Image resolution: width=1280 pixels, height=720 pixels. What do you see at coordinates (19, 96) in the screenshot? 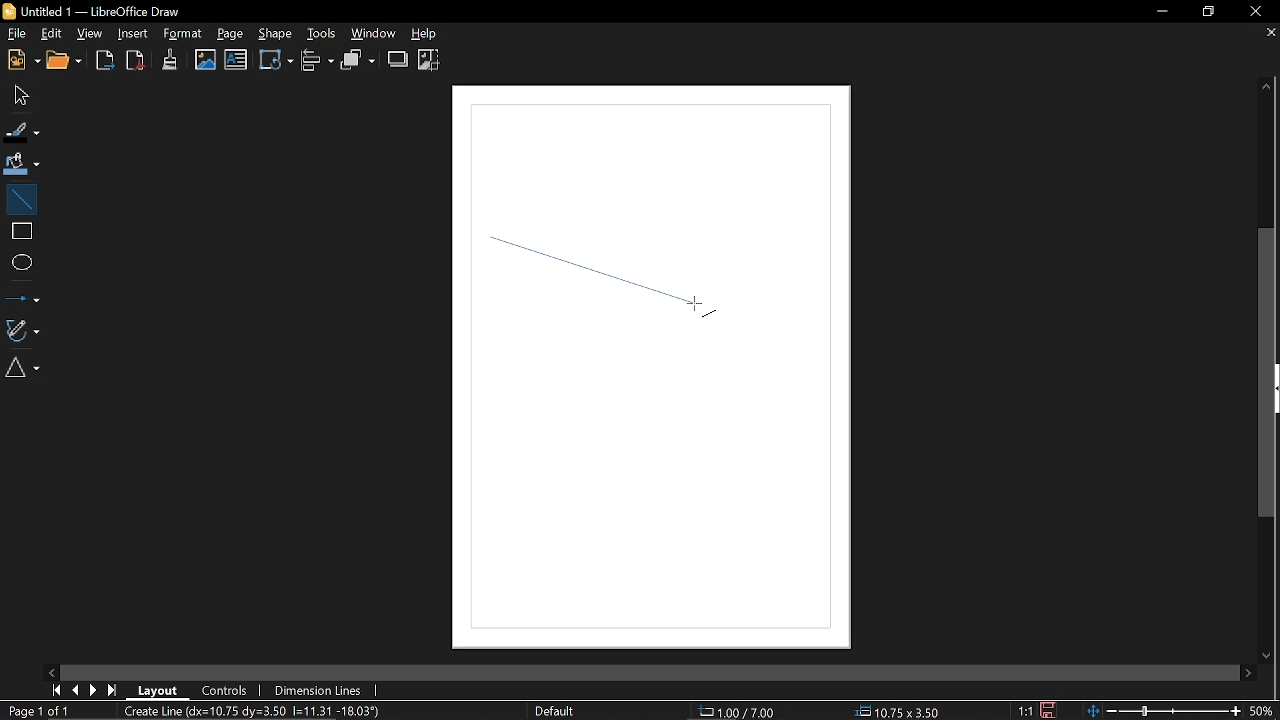
I see `Select` at bounding box center [19, 96].